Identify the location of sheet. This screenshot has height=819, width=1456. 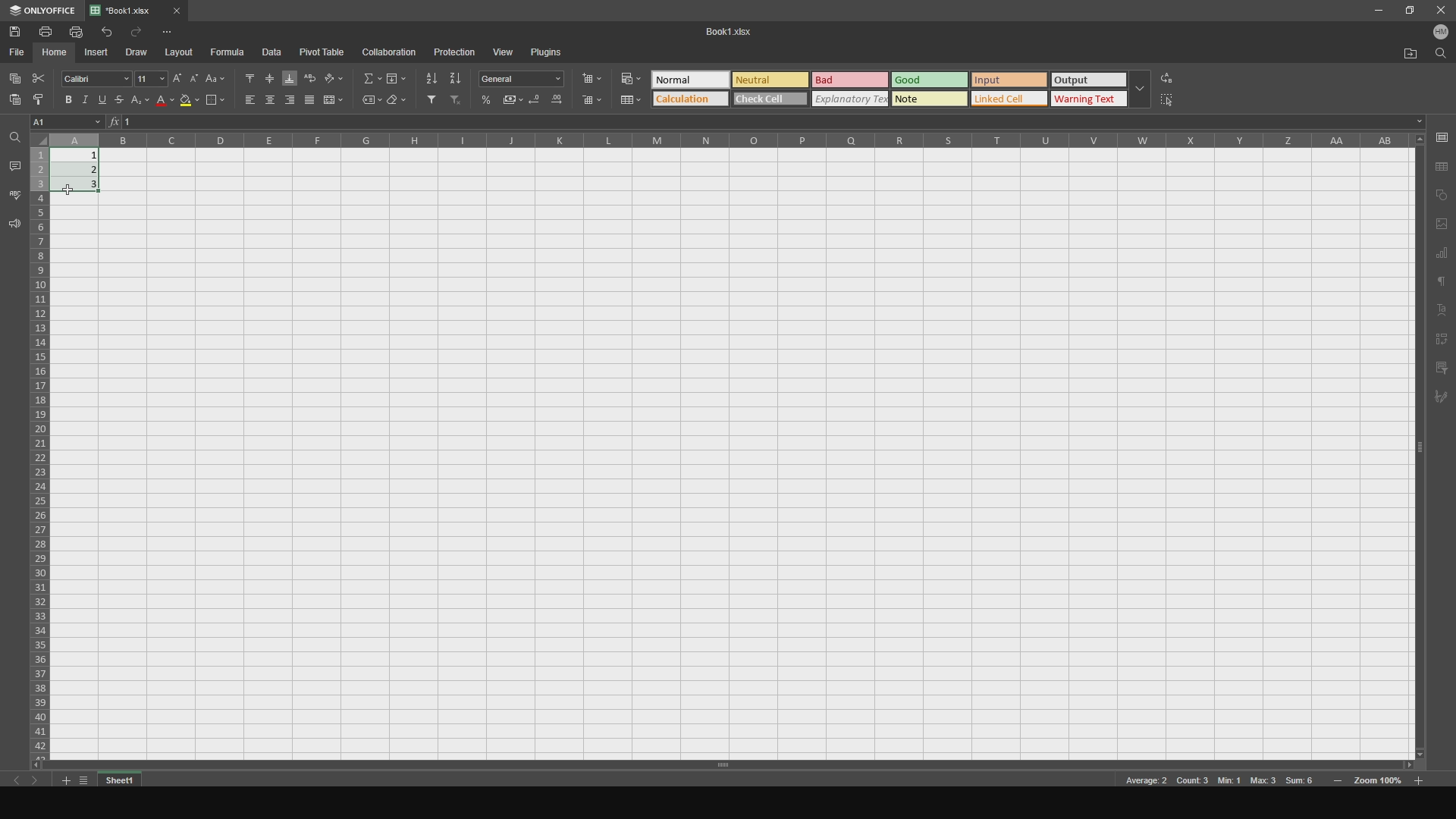
(122, 780).